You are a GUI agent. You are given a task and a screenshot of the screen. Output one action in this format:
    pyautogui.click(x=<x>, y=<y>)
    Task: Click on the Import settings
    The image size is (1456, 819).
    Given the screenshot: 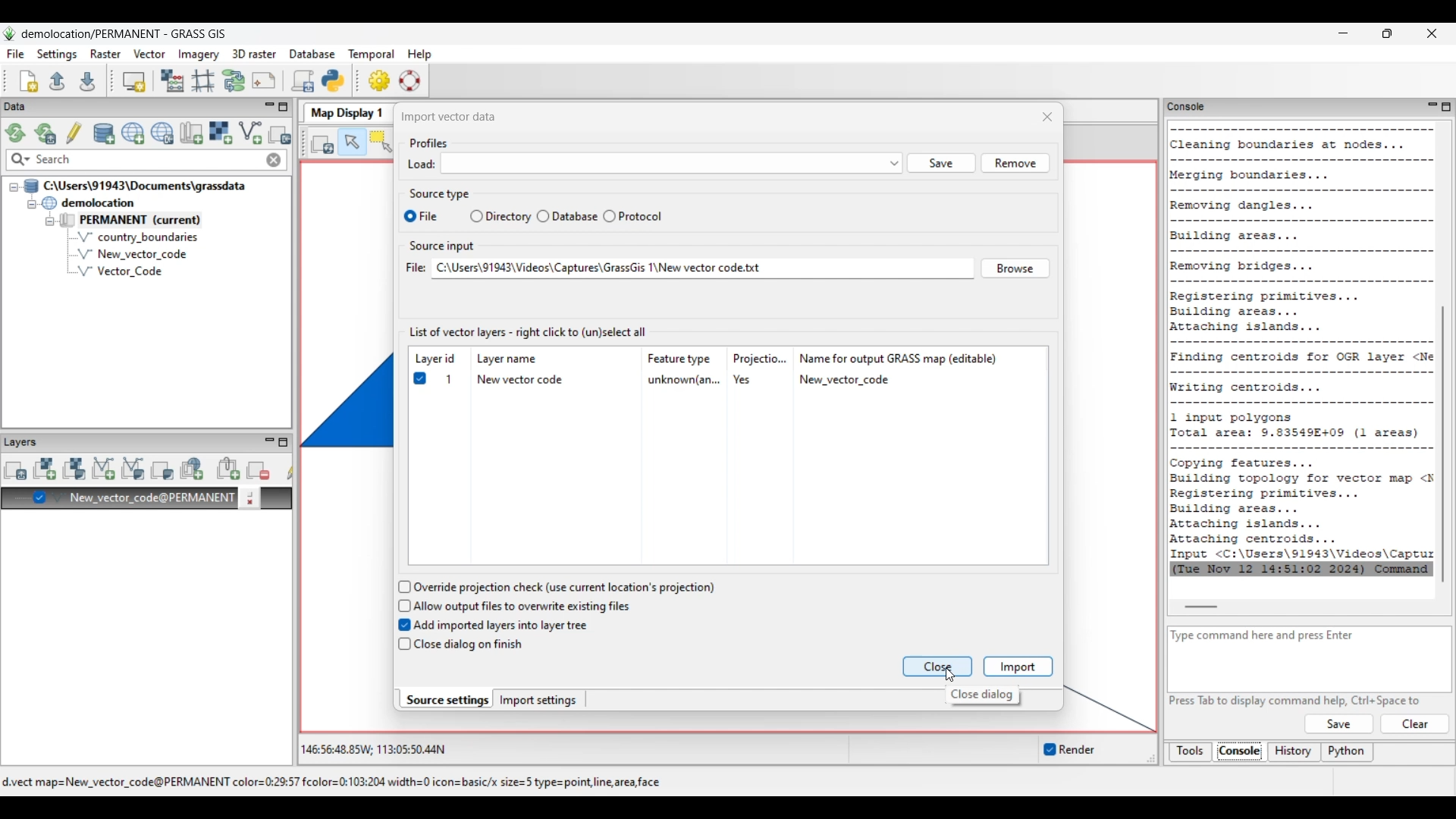 What is the action you would take?
    pyautogui.click(x=538, y=700)
    